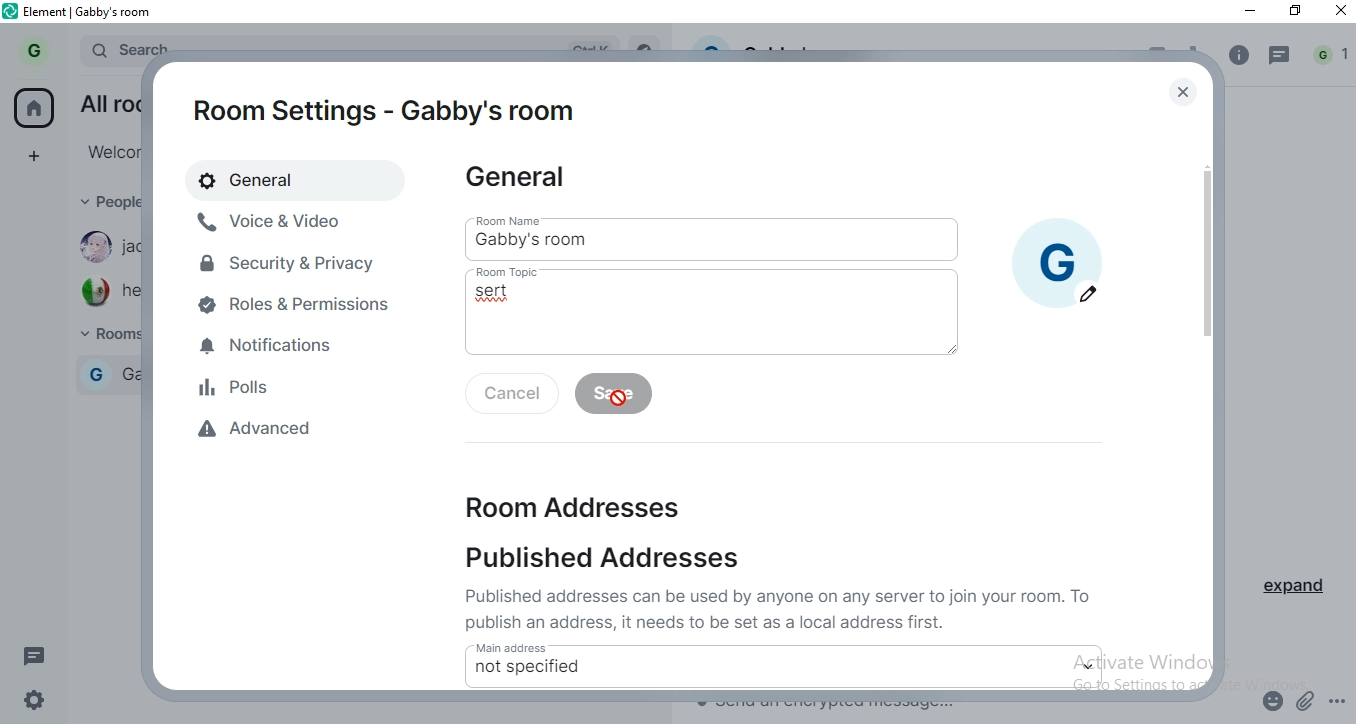  What do you see at coordinates (298, 306) in the screenshot?
I see `roles & permissions` at bounding box center [298, 306].